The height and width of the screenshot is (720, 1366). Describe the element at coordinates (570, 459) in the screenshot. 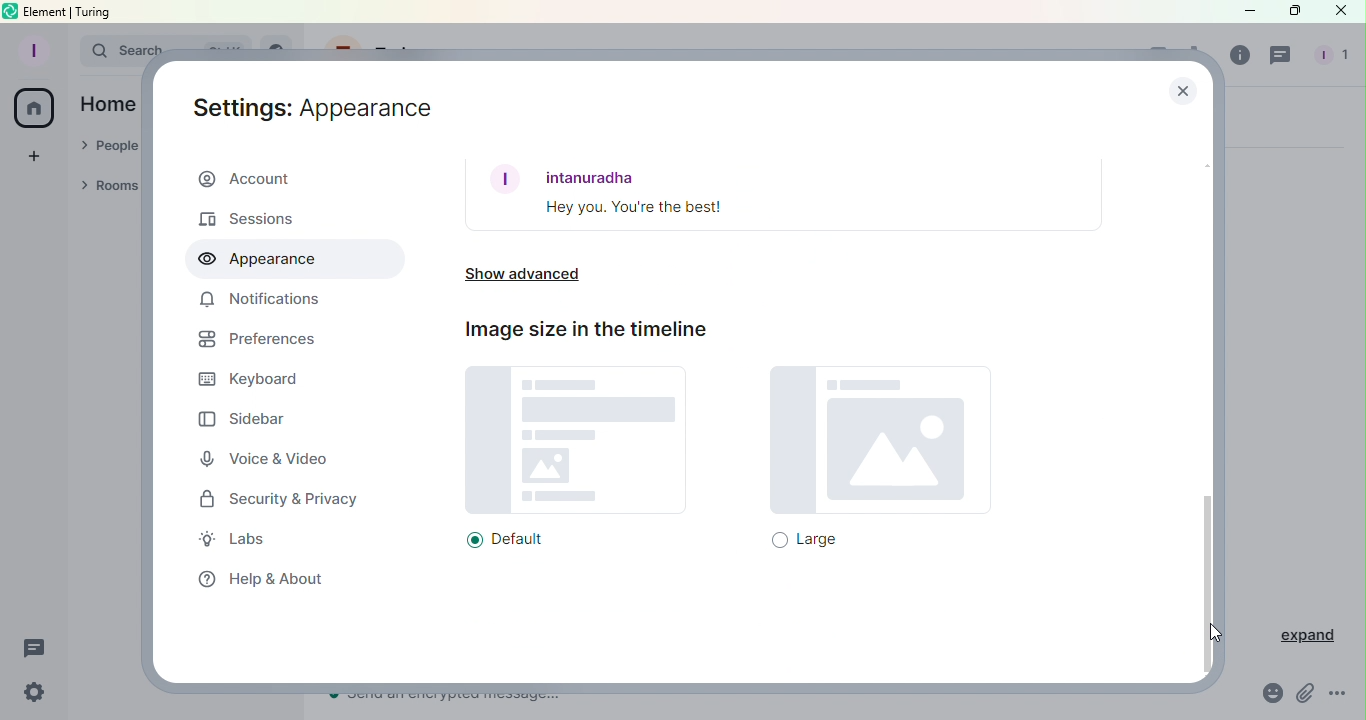

I see `Default` at that location.